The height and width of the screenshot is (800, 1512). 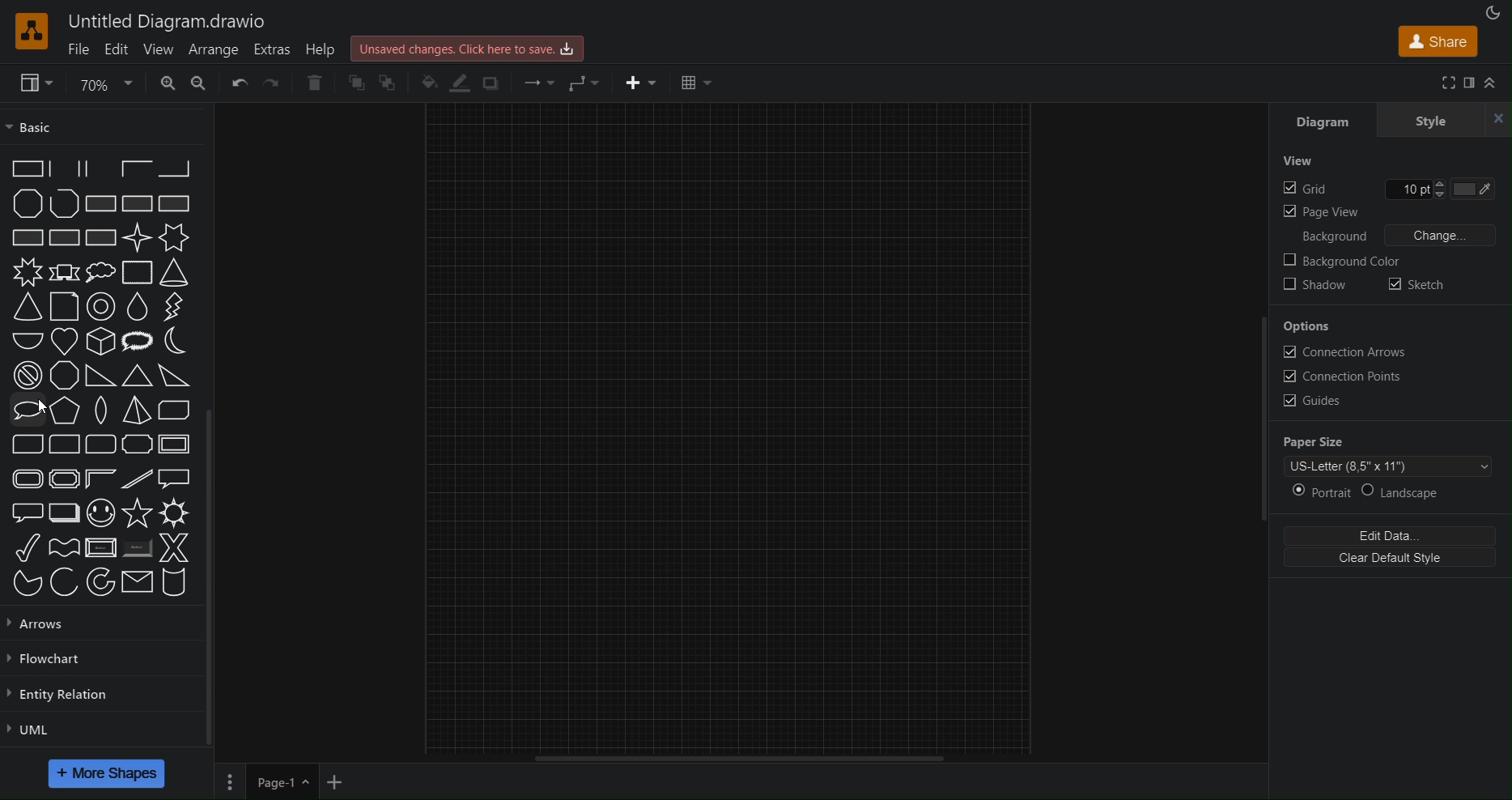 I want to click on Partial Rectangle, so click(x=23, y=168).